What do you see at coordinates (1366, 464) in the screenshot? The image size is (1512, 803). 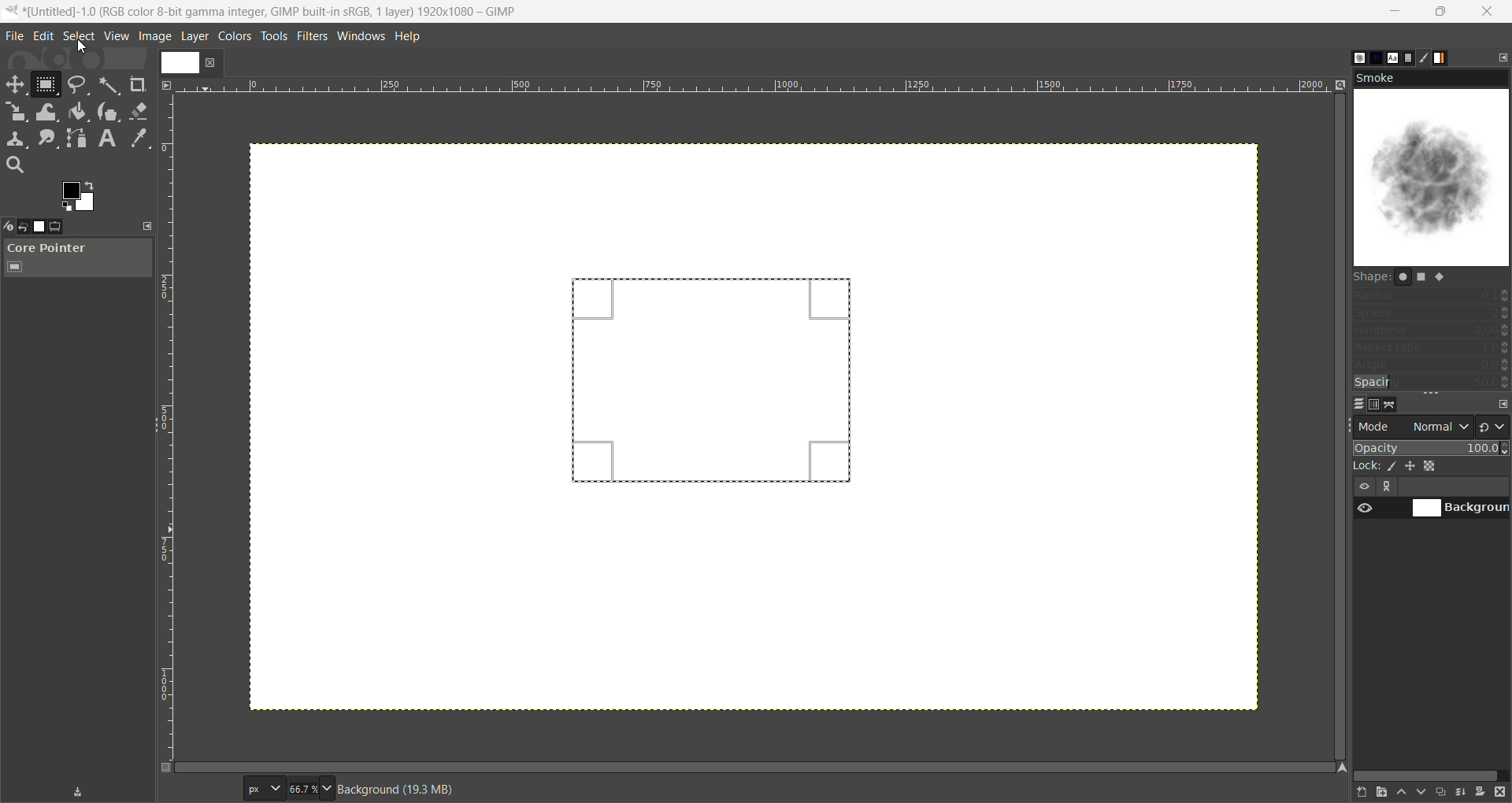 I see `lock` at bounding box center [1366, 464].